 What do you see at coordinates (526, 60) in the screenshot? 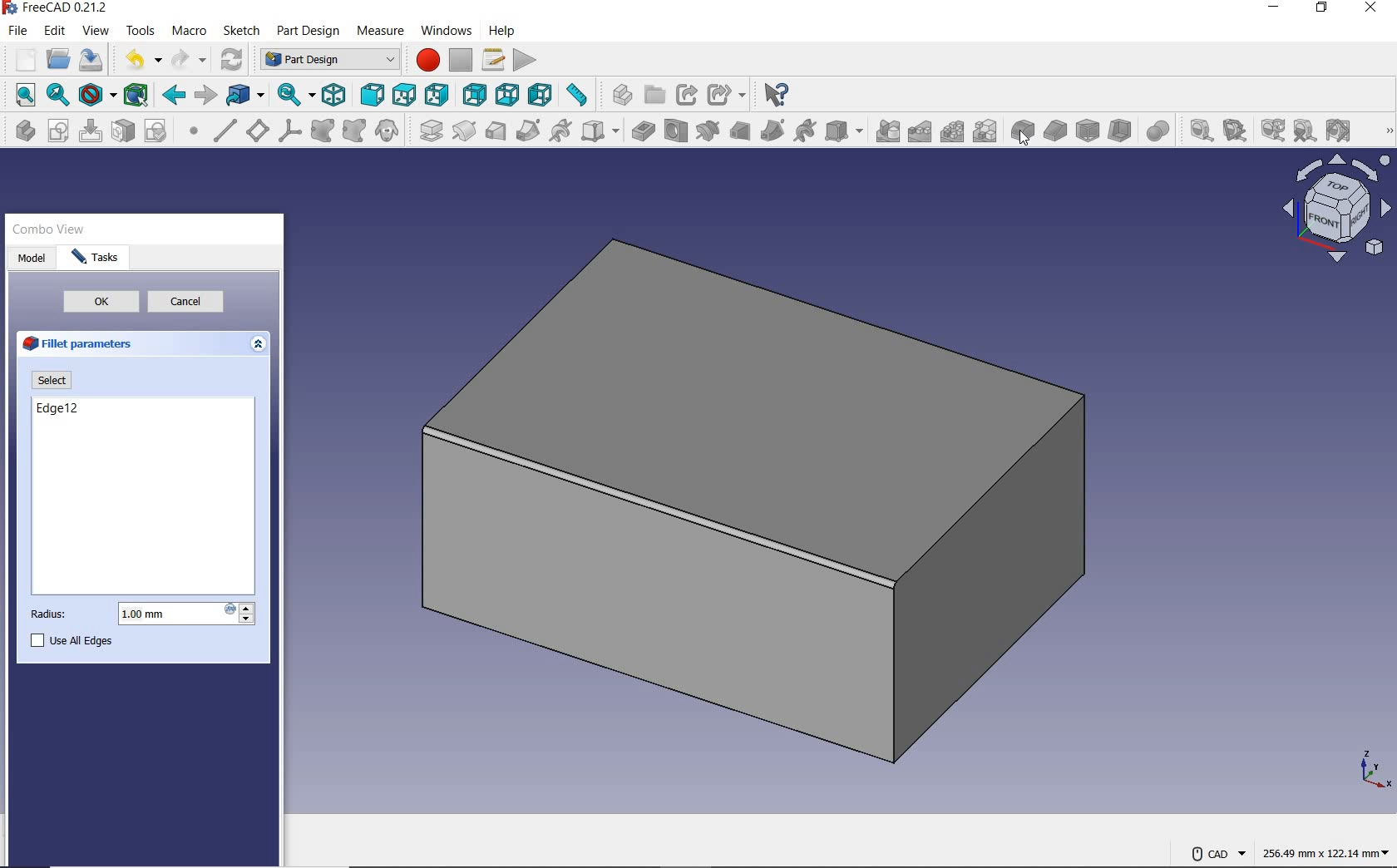
I see `execute macro` at bounding box center [526, 60].